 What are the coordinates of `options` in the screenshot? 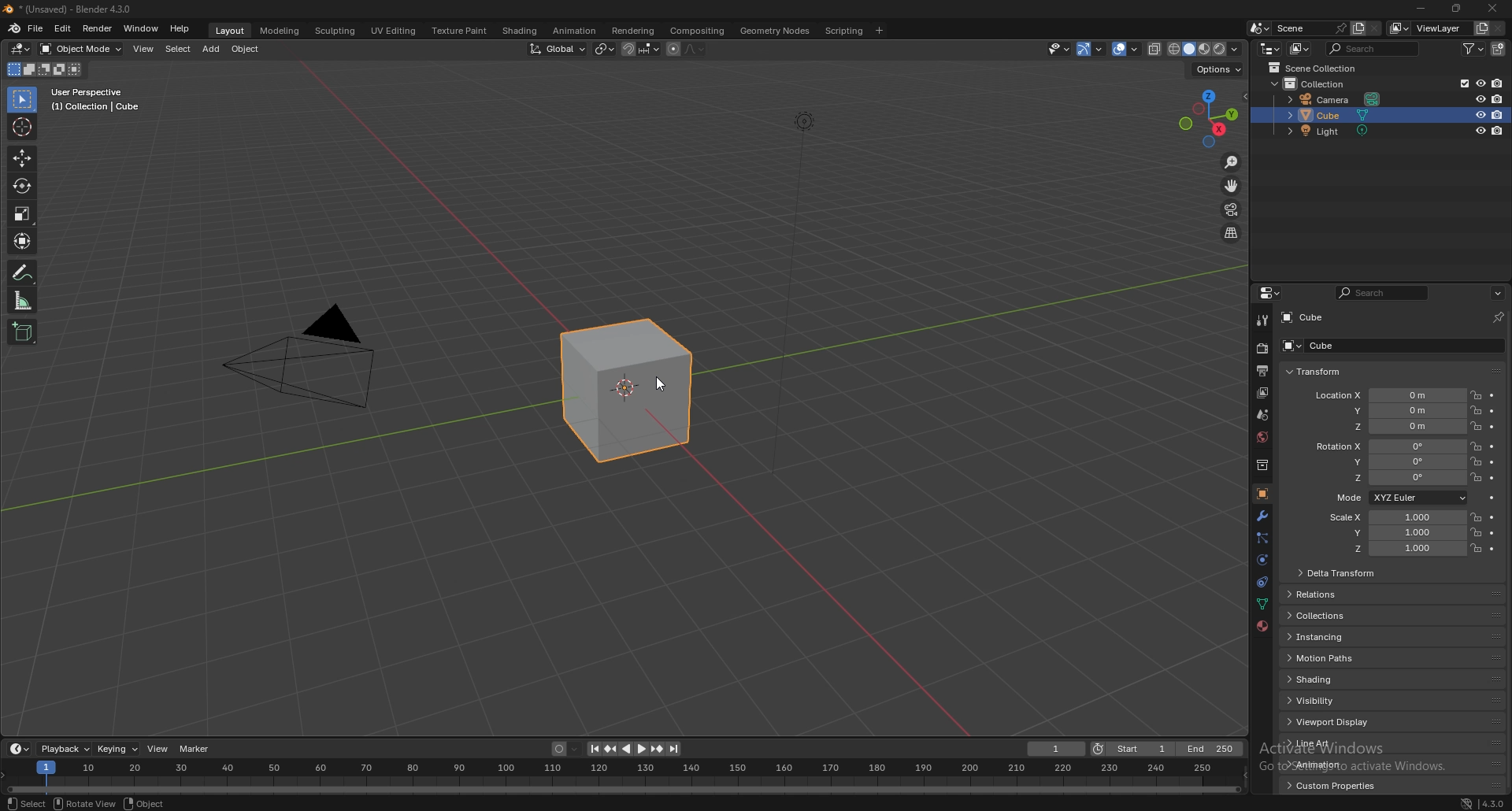 It's located at (1217, 70).